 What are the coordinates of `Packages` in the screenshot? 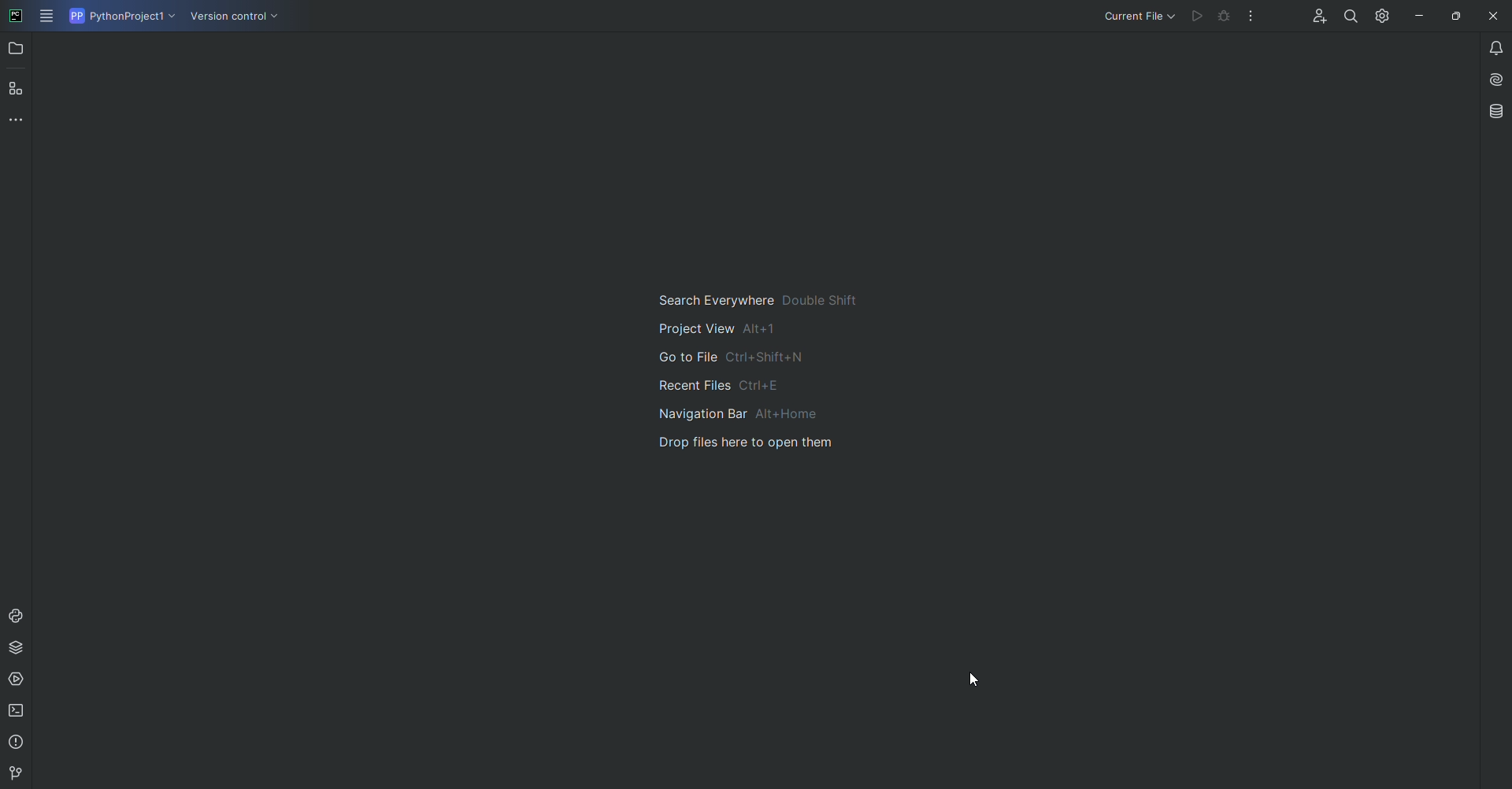 It's located at (20, 647).